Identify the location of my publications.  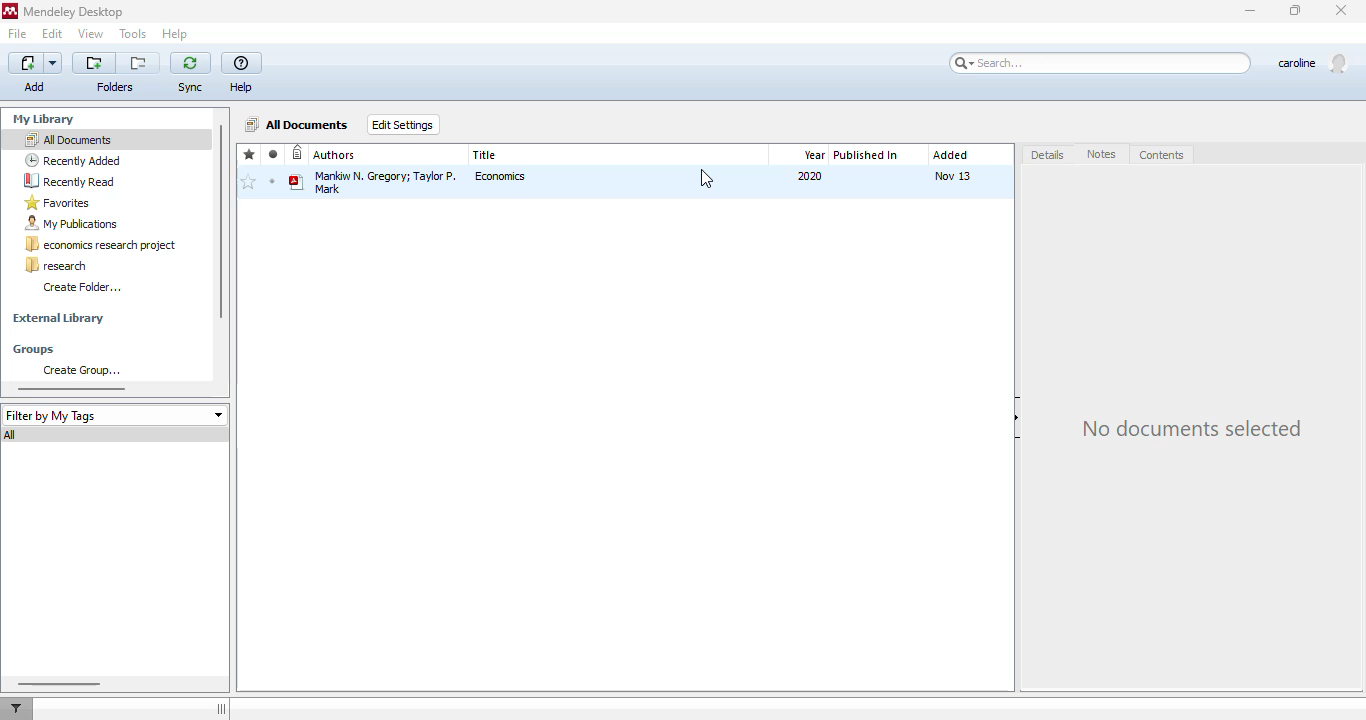
(72, 224).